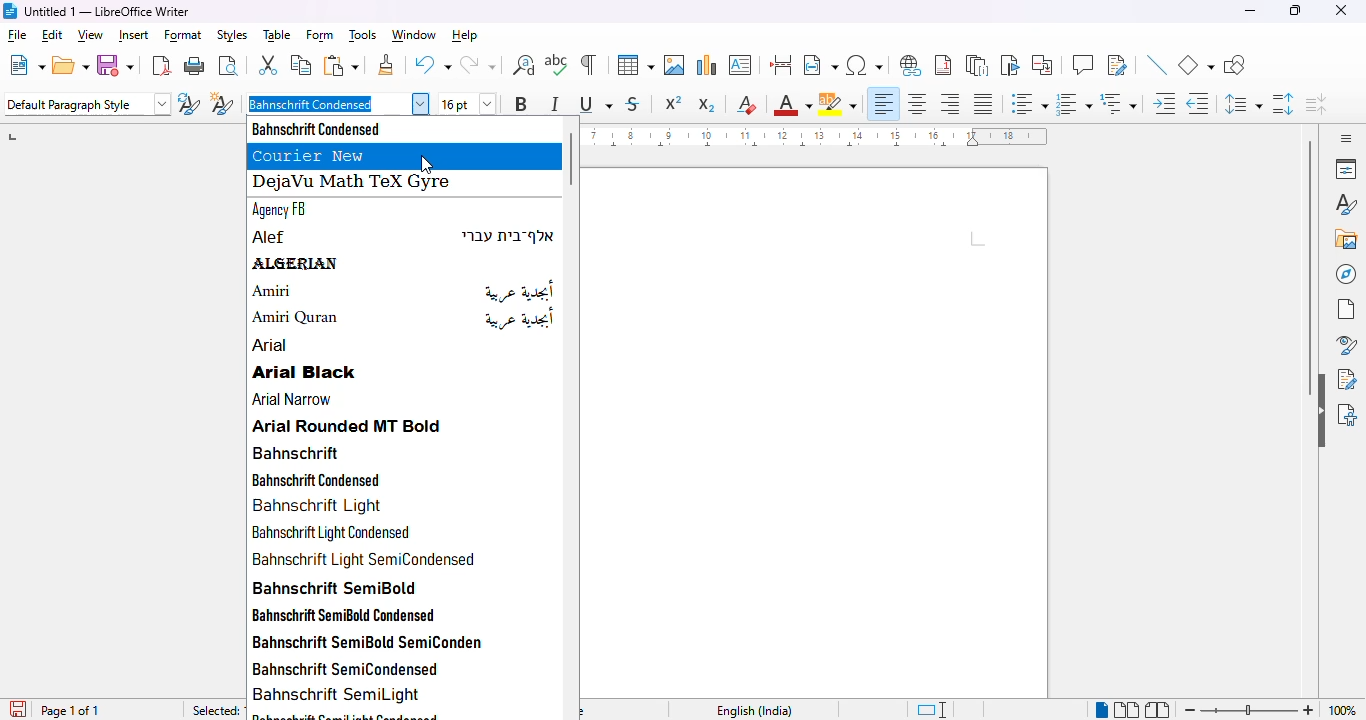 This screenshot has height=720, width=1366. Describe the element at coordinates (1198, 103) in the screenshot. I see `decrease indent` at that location.